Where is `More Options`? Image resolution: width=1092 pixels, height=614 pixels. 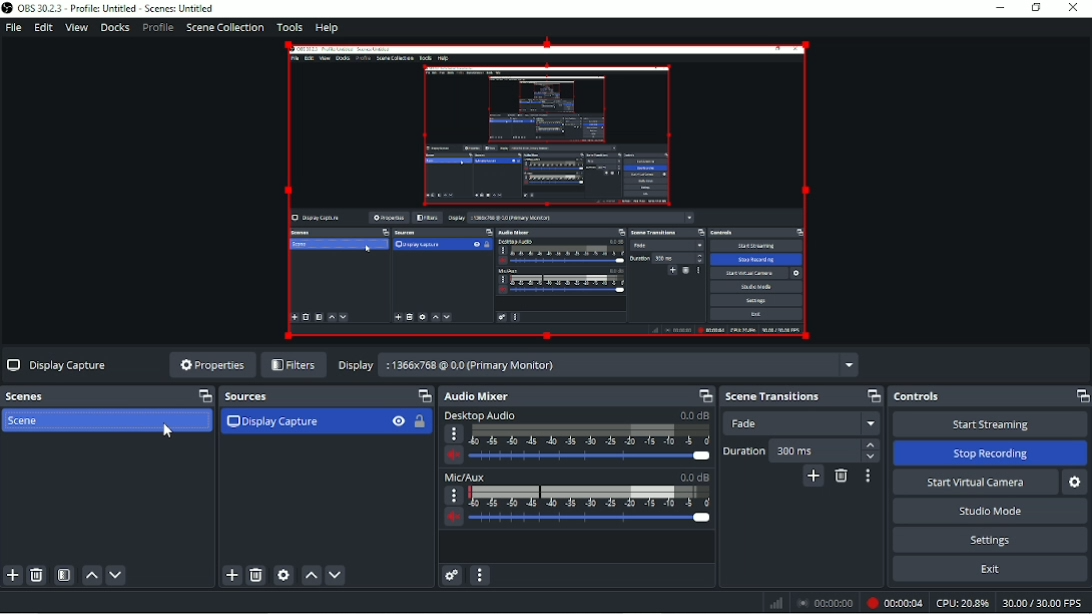 More Options is located at coordinates (451, 495).